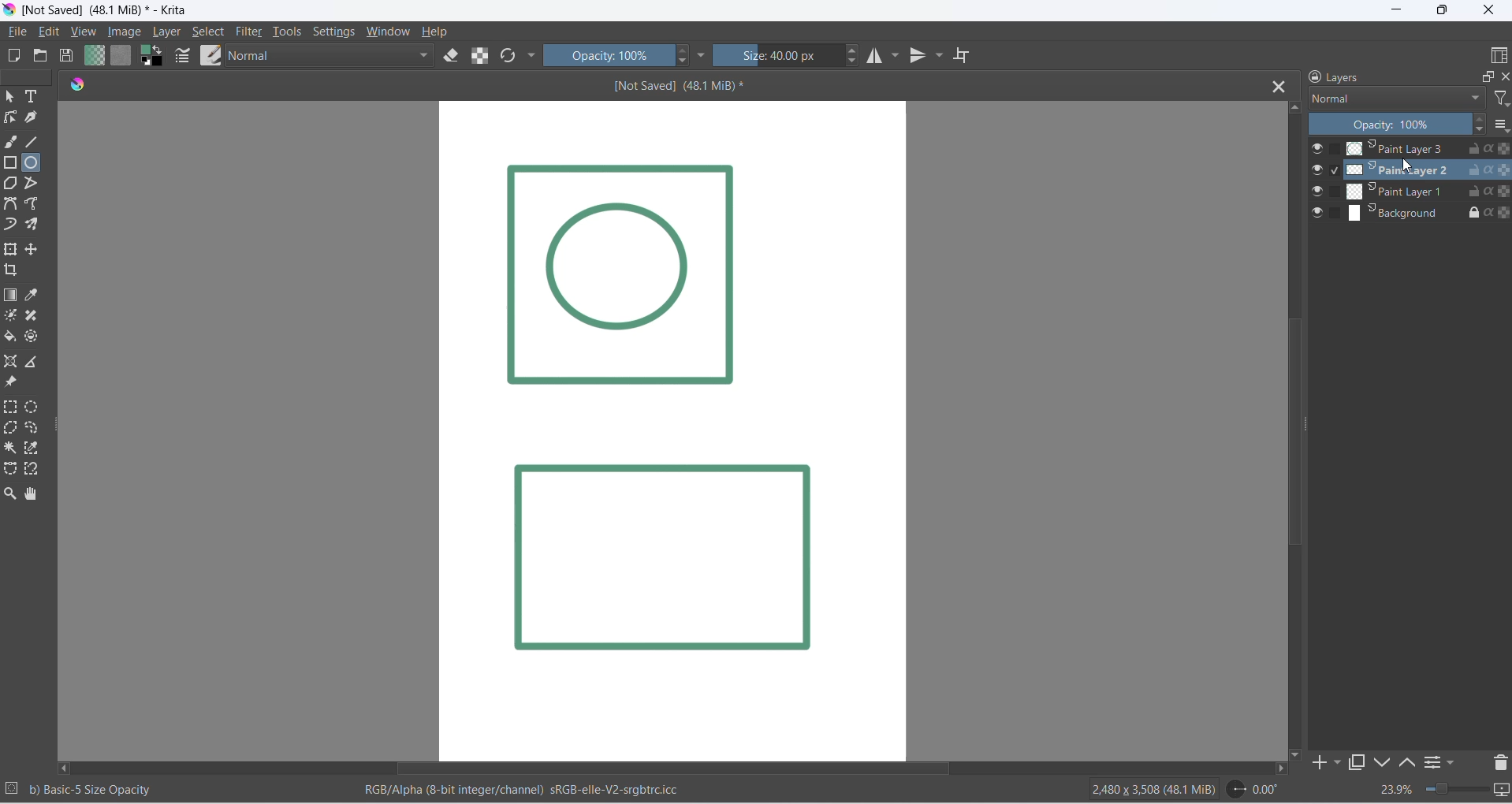  Describe the element at coordinates (1394, 12) in the screenshot. I see `minimize` at that location.